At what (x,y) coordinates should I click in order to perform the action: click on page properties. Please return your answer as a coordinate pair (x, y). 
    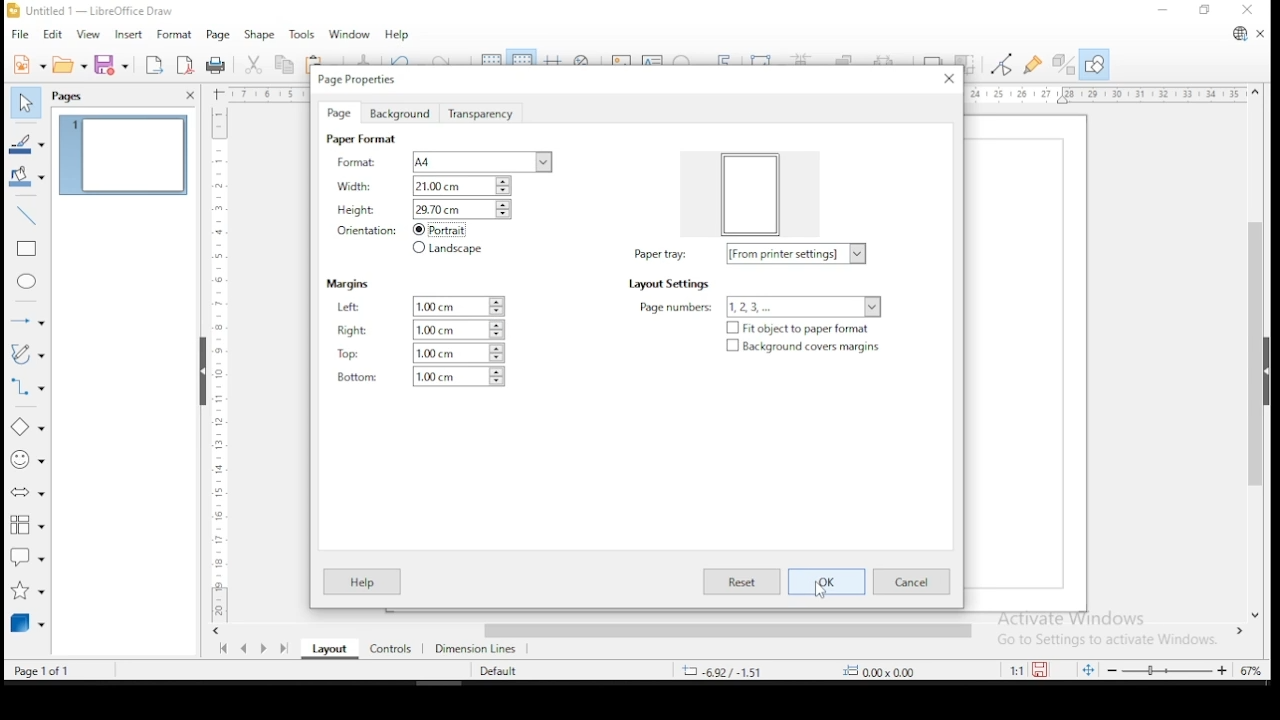
    Looking at the image, I should click on (375, 81).